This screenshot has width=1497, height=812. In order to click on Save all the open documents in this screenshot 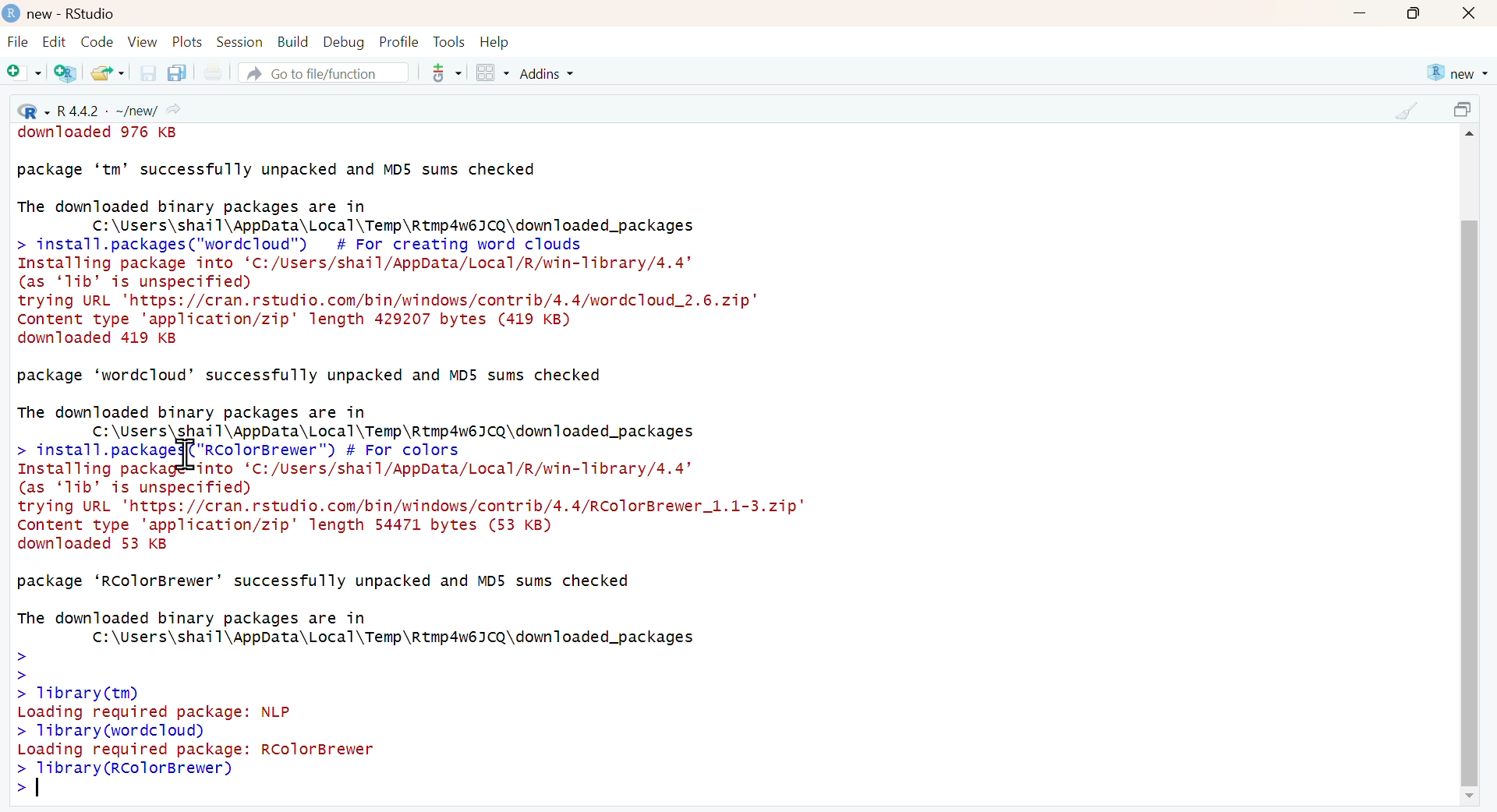, I will do `click(176, 72)`.